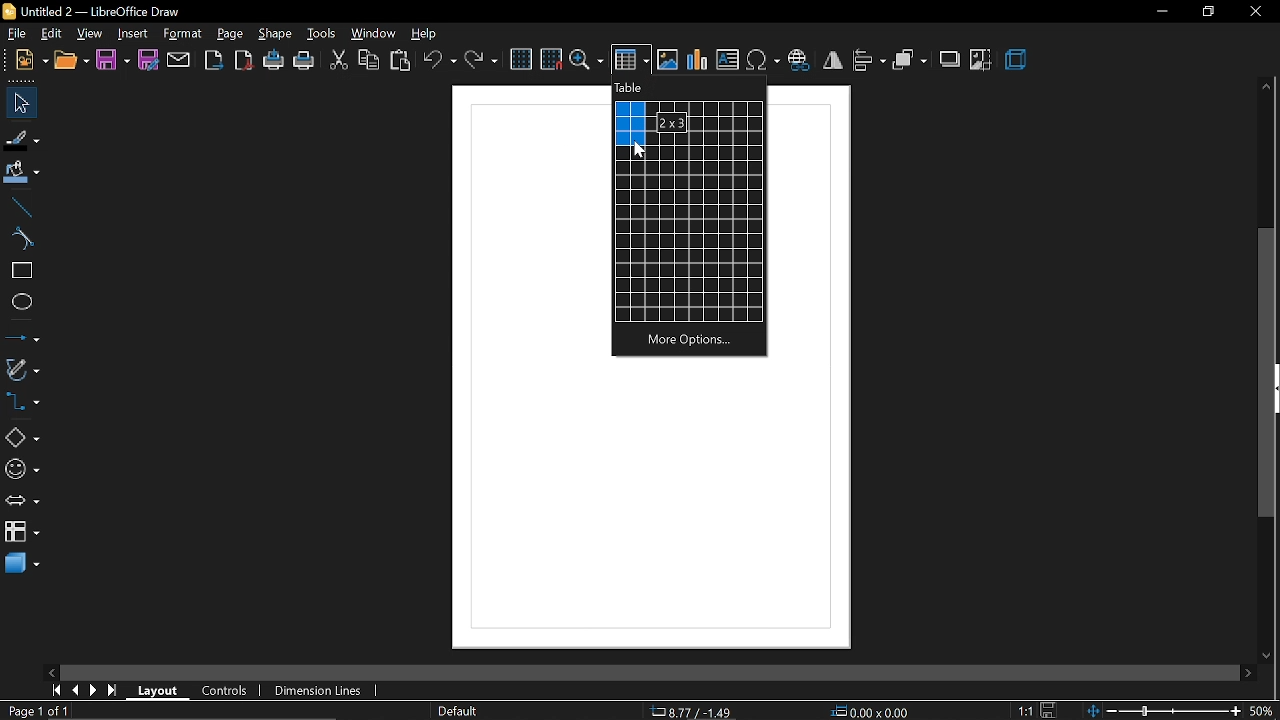 The width and height of the screenshot is (1280, 720). I want to click on go to last page, so click(114, 689).